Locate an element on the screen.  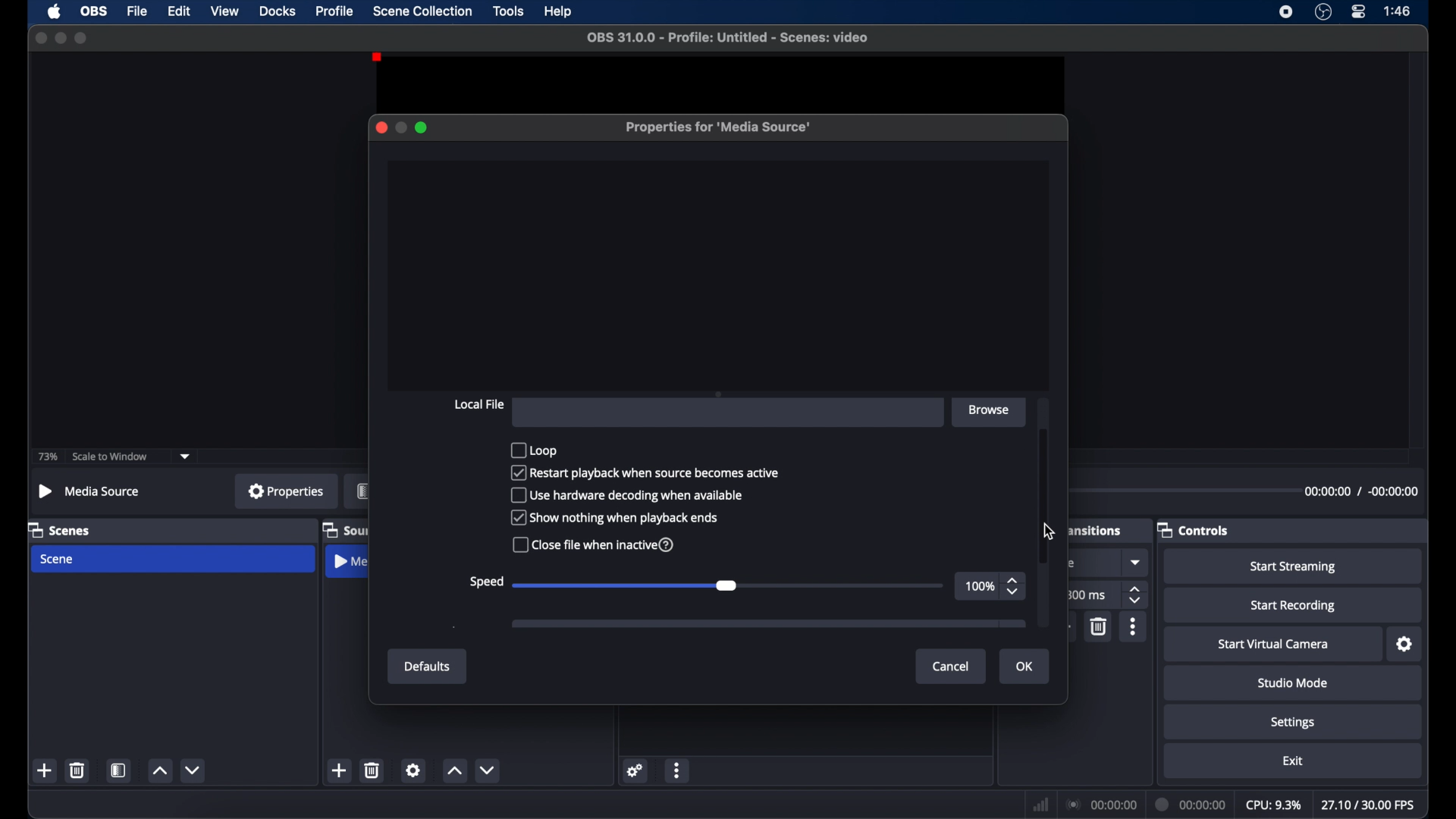
settings is located at coordinates (636, 770).